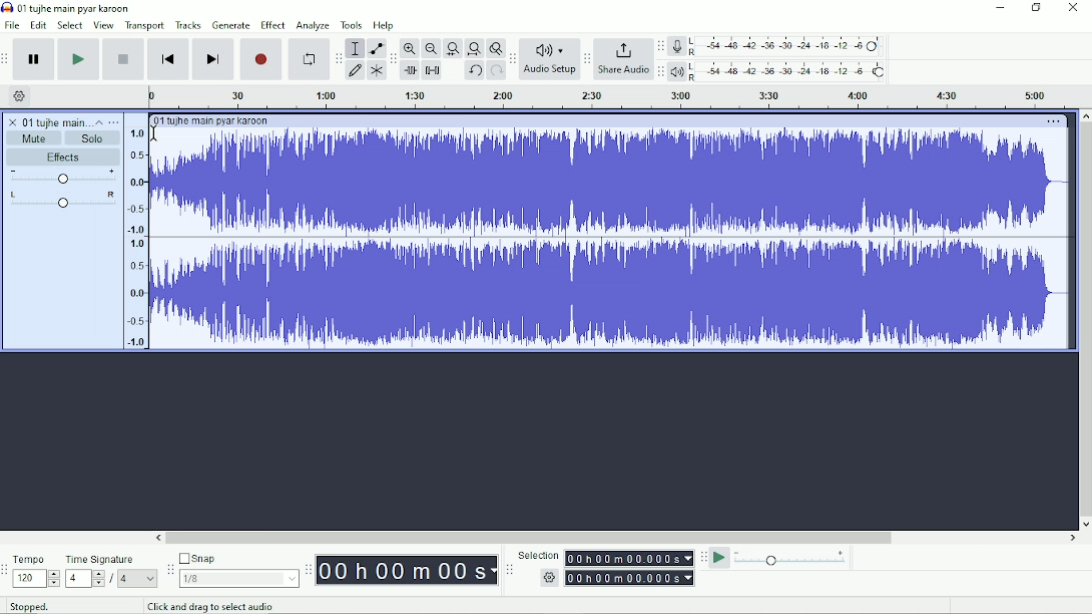  I want to click on Skip to end, so click(213, 59).